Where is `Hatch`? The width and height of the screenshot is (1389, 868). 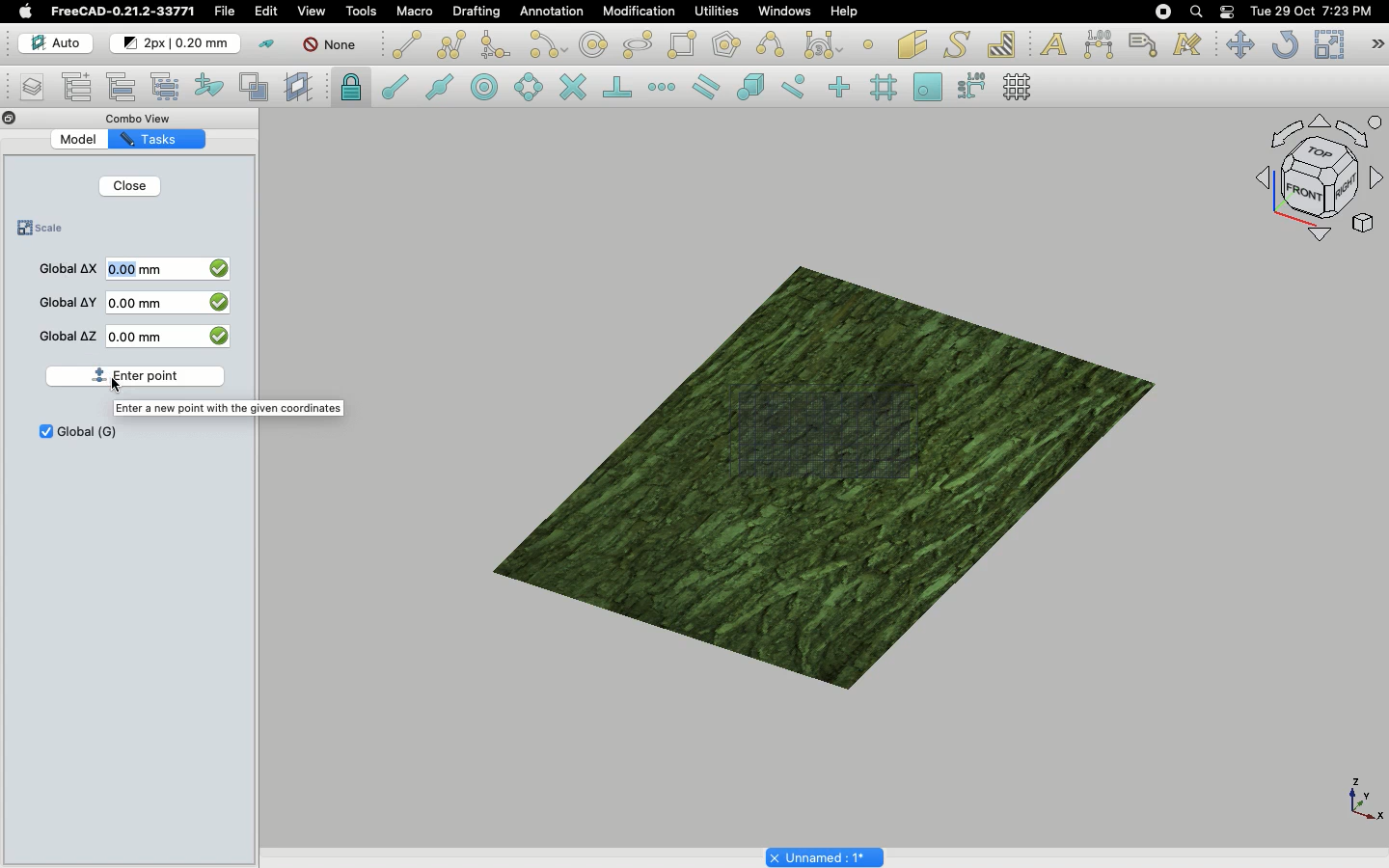
Hatch is located at coordinates (1003, 42).